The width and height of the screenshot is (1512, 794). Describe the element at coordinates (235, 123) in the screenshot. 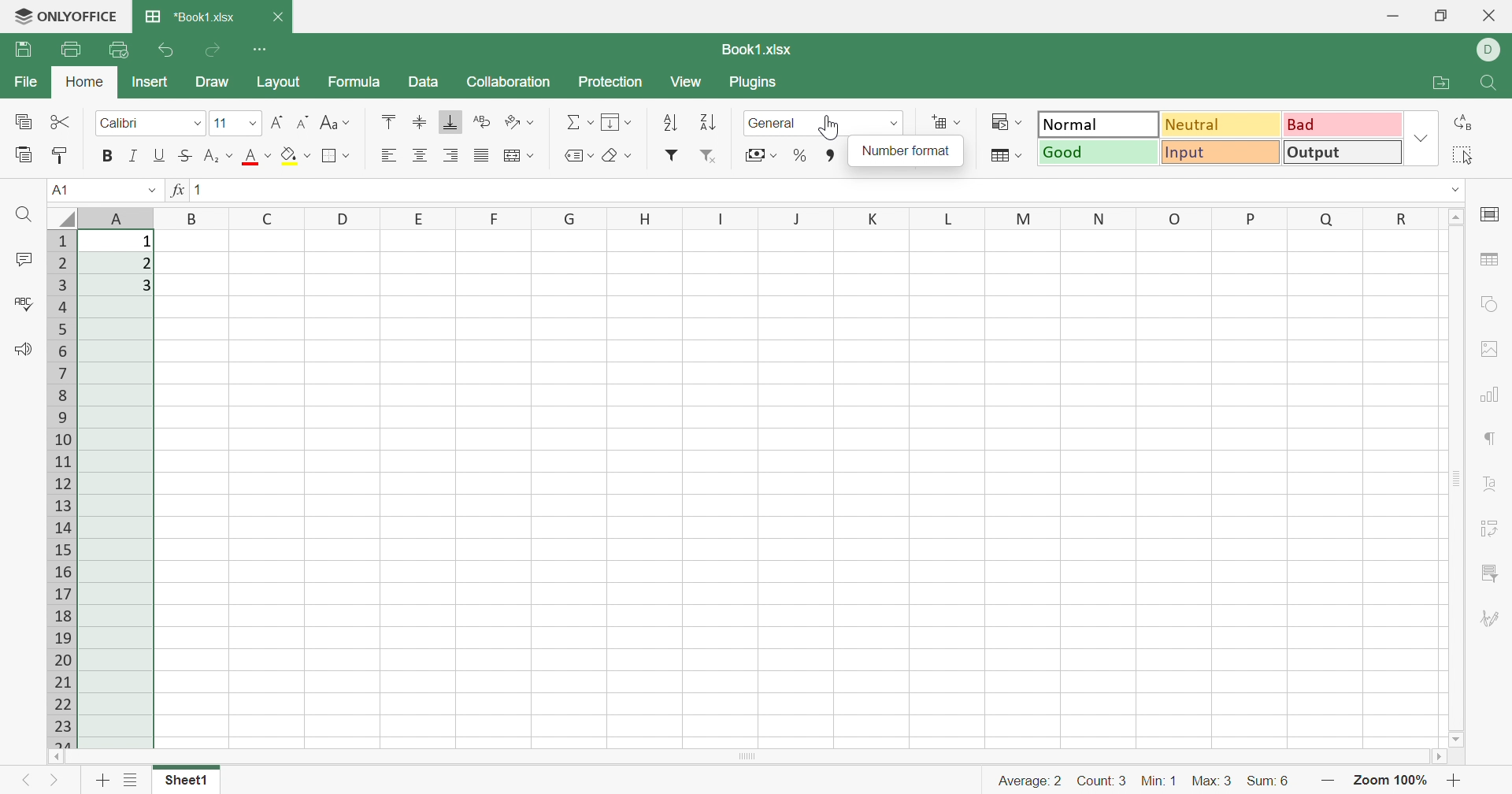

I see `Font size` at that location.